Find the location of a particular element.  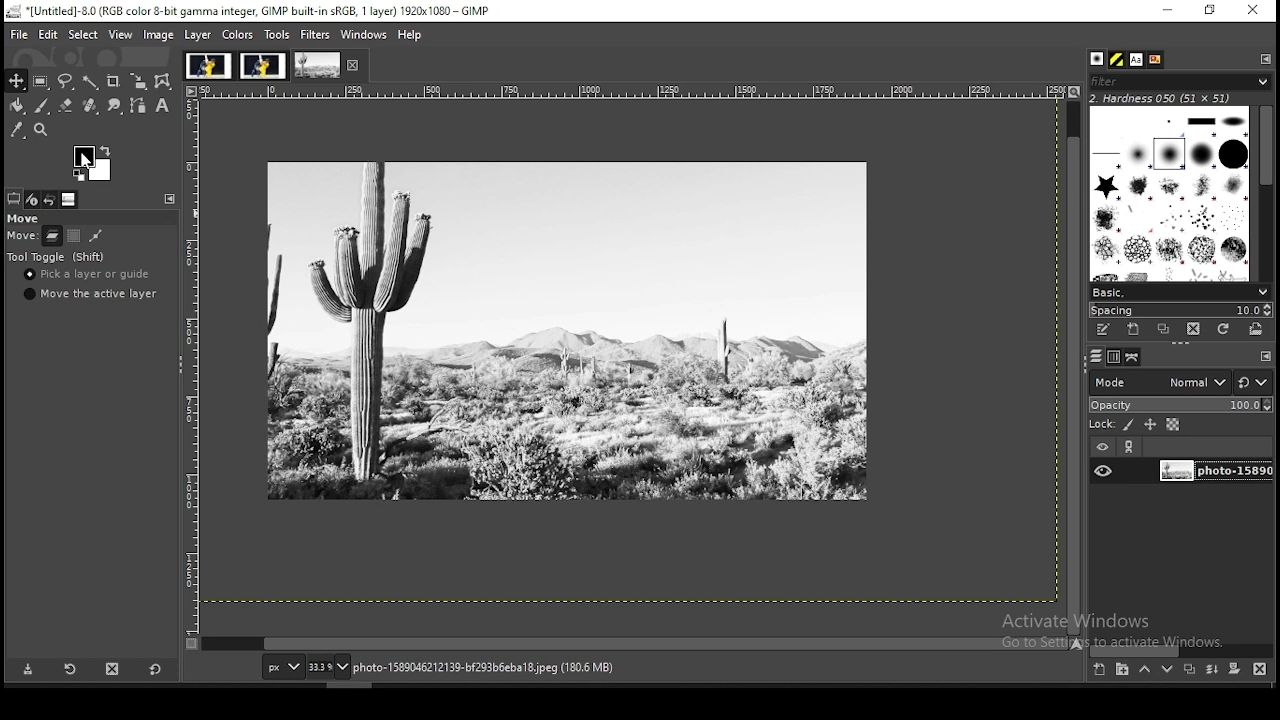

duplicate this layer is located at coordinates (1188, 669).